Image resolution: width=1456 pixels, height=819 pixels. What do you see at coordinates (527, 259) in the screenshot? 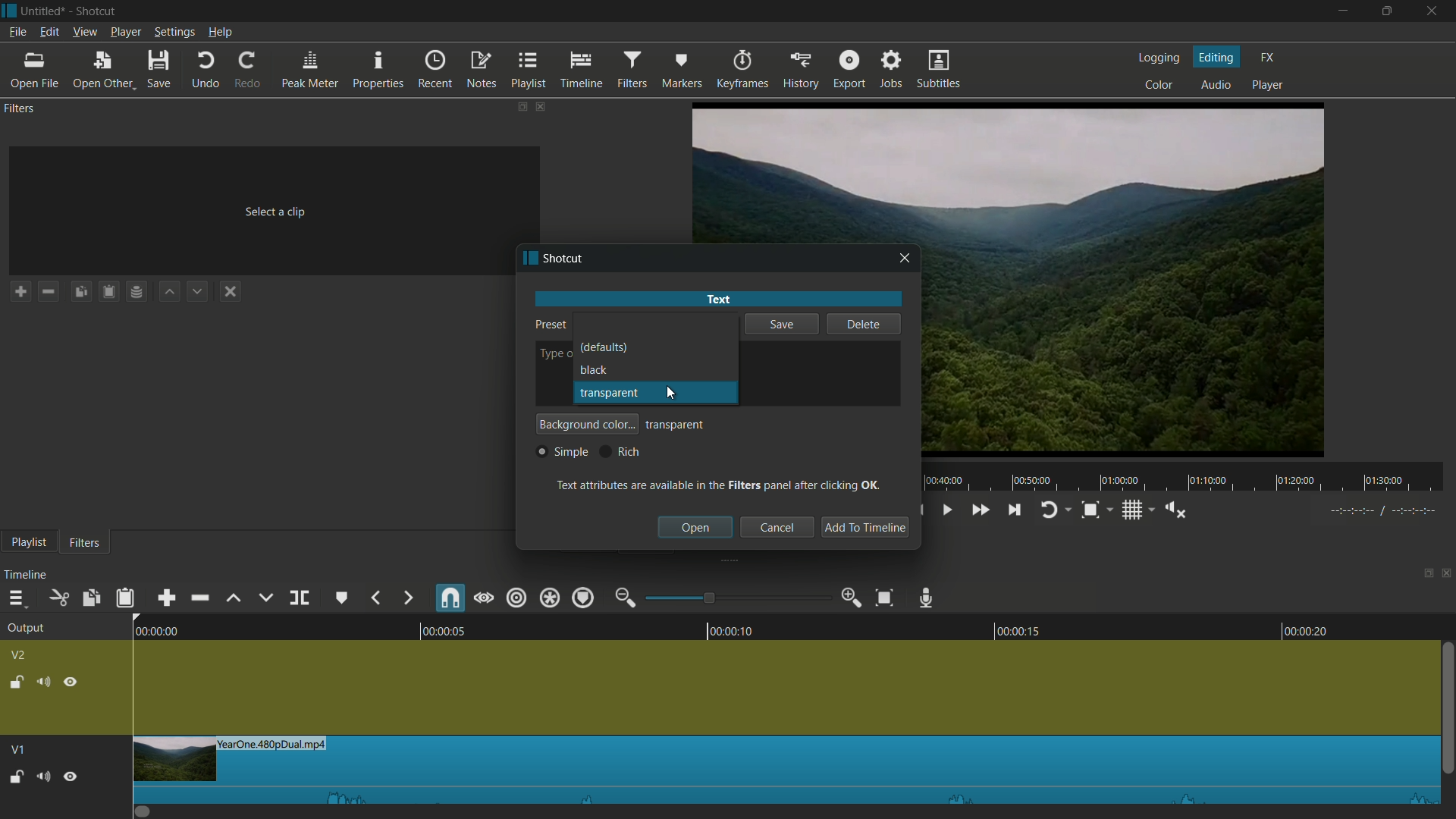
I see `app icon` at bounding box center [527, 259].